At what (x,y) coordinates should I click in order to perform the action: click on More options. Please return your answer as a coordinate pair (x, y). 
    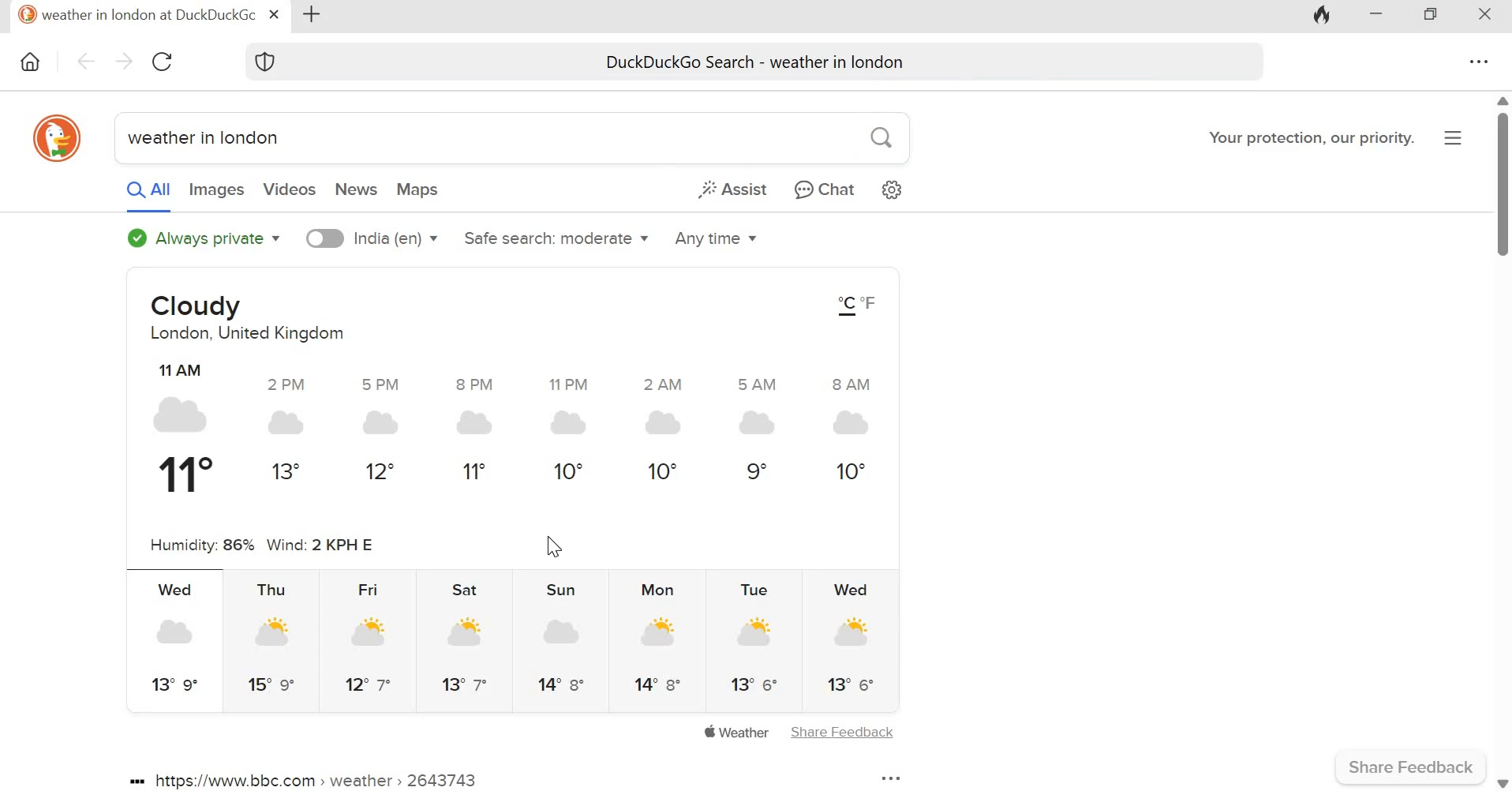
    Looking at the image, I should click on (892, 778).